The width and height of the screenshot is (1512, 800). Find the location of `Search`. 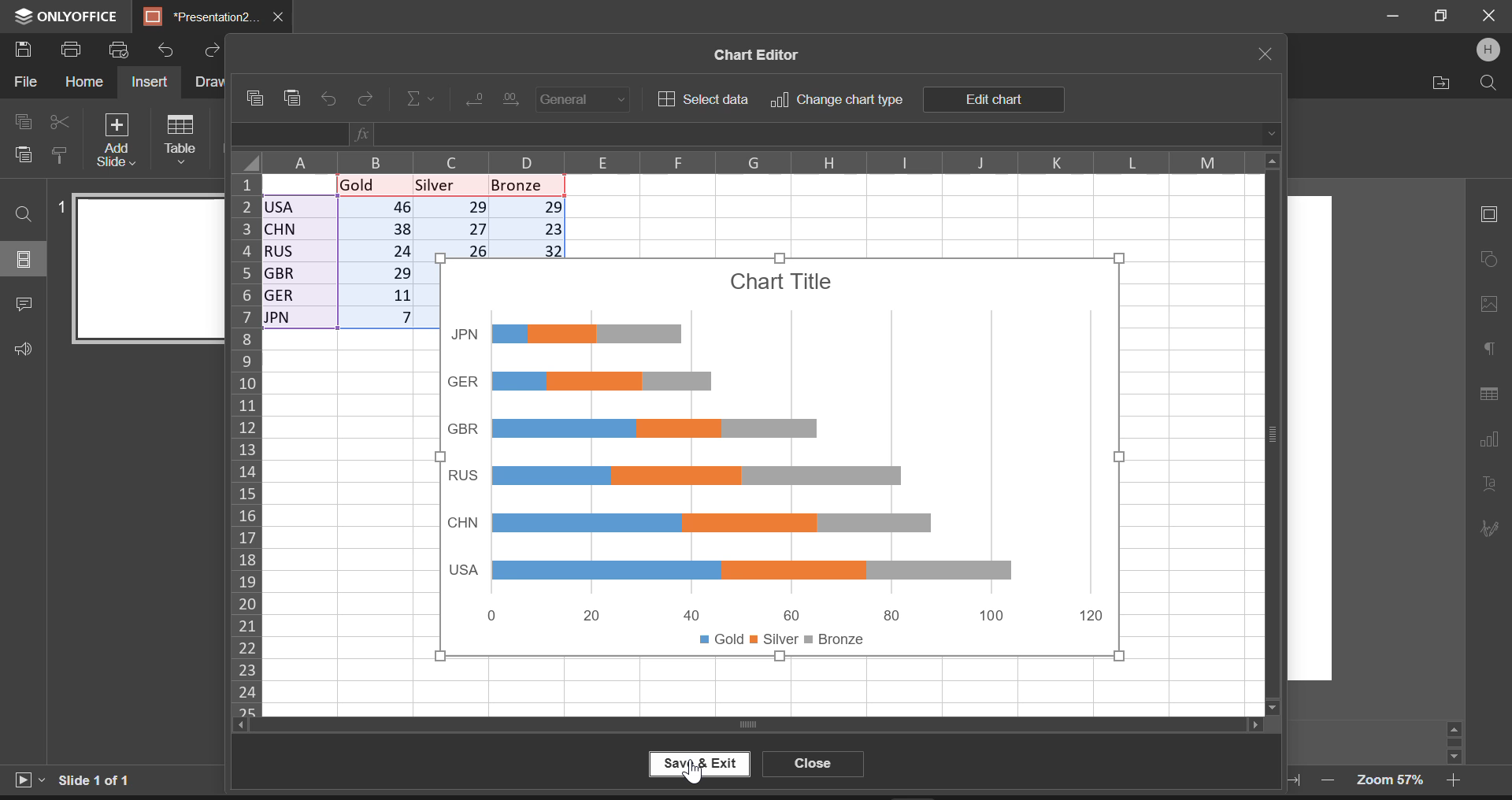

Search is located at coordinates (1487, 82).